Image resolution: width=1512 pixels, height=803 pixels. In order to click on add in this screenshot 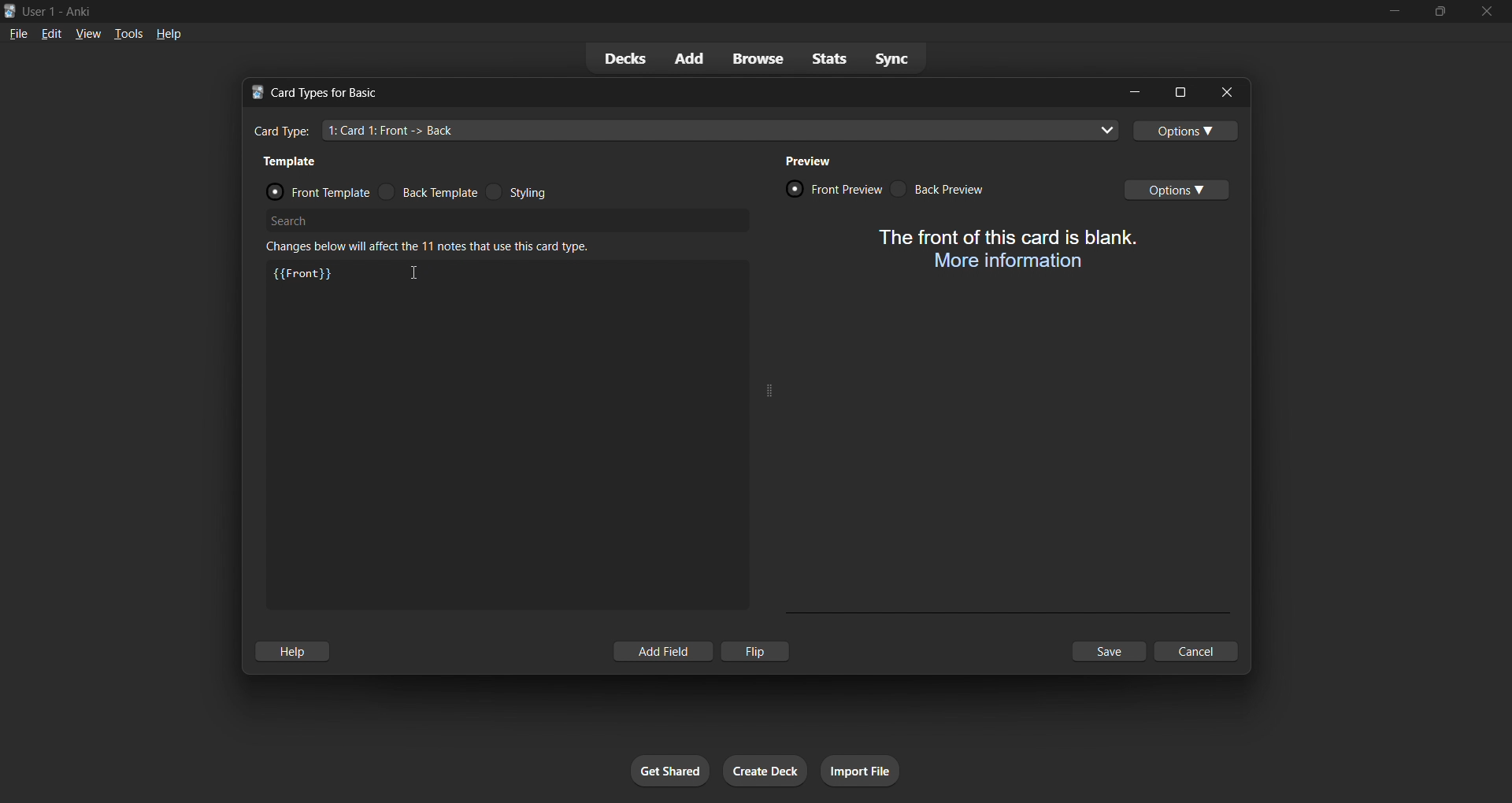, I will do `click(685, 56)`.